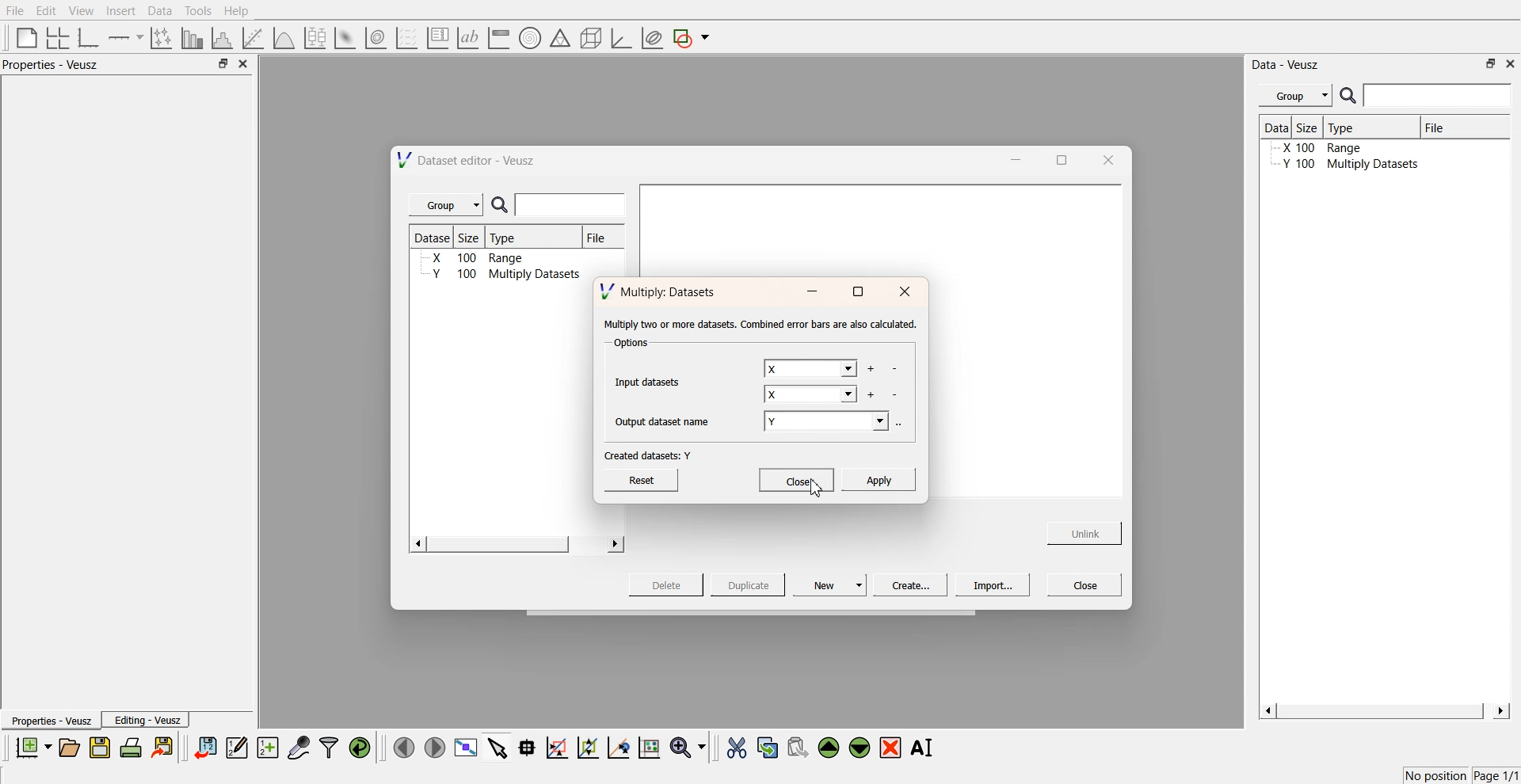  I want to click on add more, so click(870, 369).